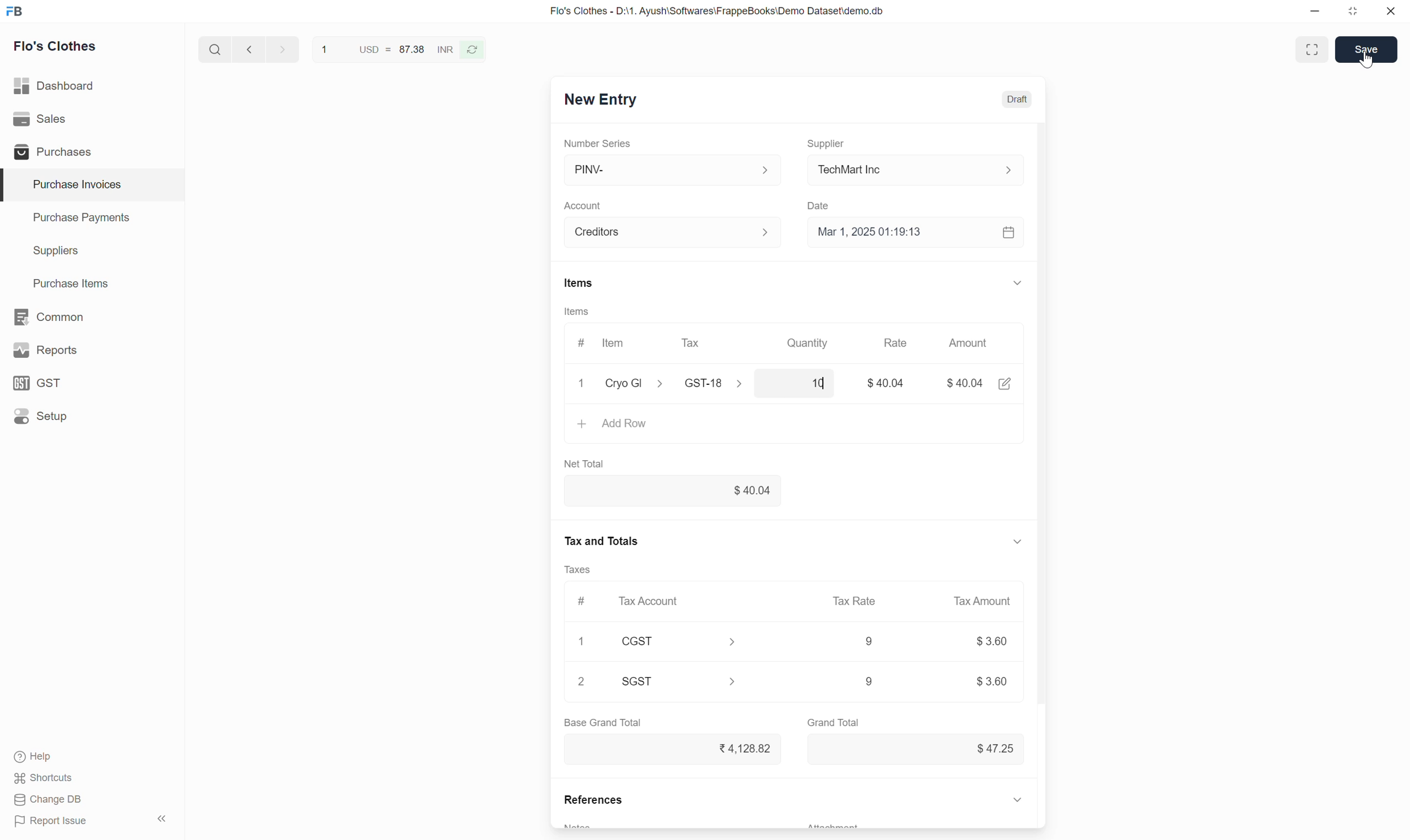 Image resolution: width=1410 pixels, height=840 pixels. Describe the element at coordinates (247, 50) in the screenshot. I see `next` at that location.